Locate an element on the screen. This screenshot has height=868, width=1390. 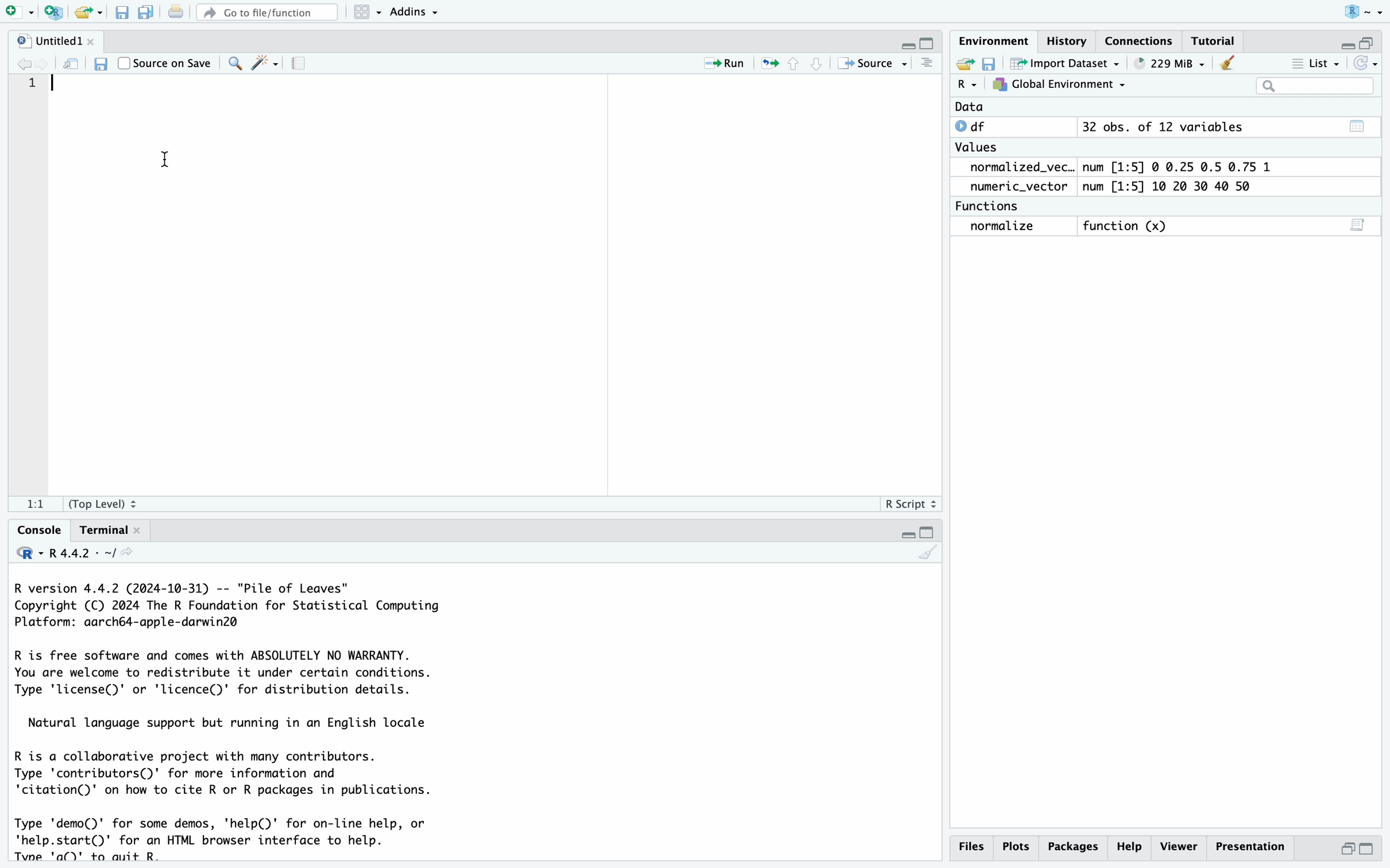
Data
O df 32 obs. of 12 variables
Values
normalized_vec.. num [1:5] @ 0.25 0.5 0.75 1
numeric_vector num [1:5] 10 20 30 40 50
Functions
normalize function (x) is located at coordinates (1111, 170).